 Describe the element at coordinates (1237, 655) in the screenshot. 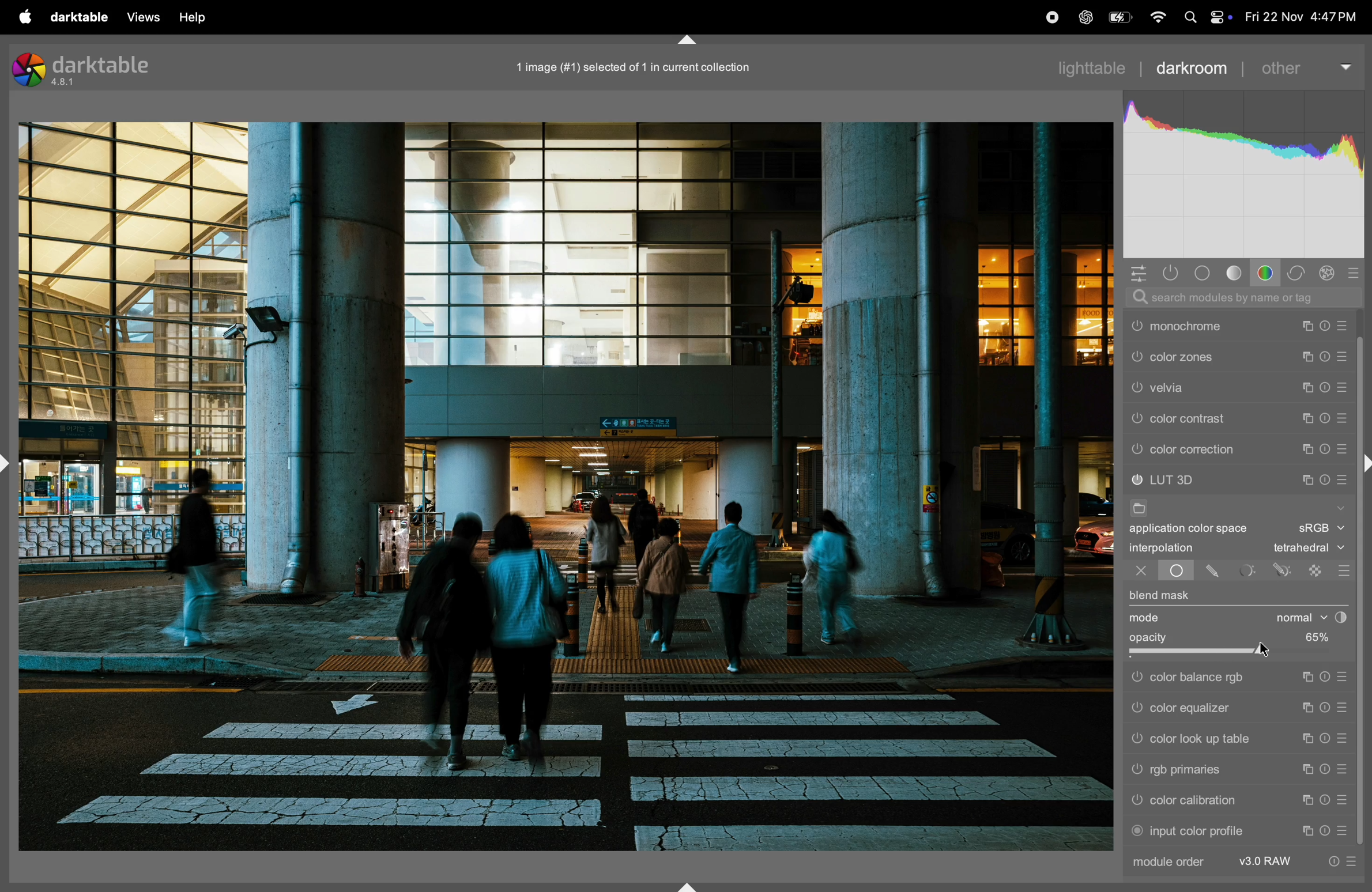

I see `slider` at that location.